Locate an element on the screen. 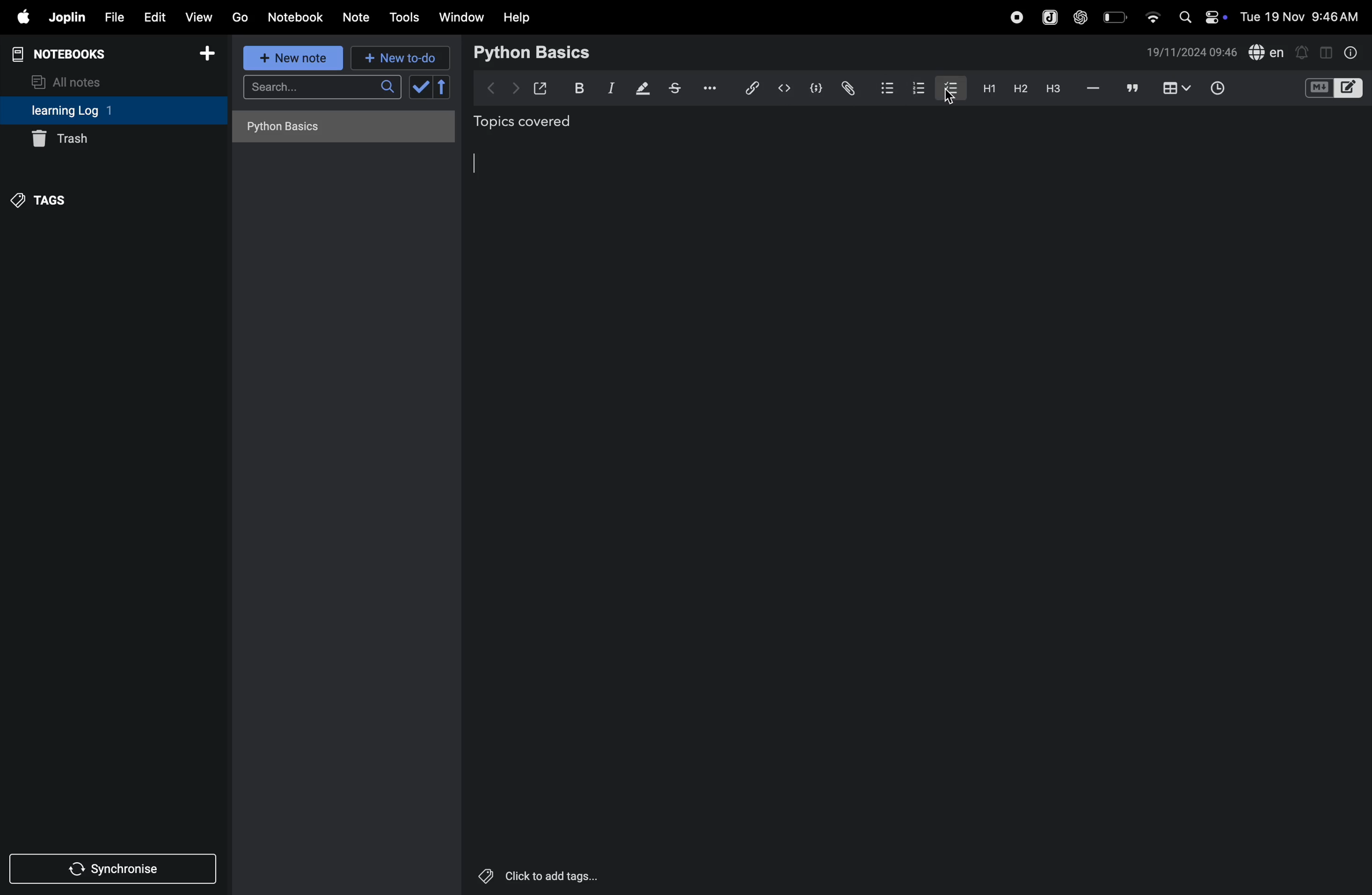  checkbox is located at coordinates (949, 87).